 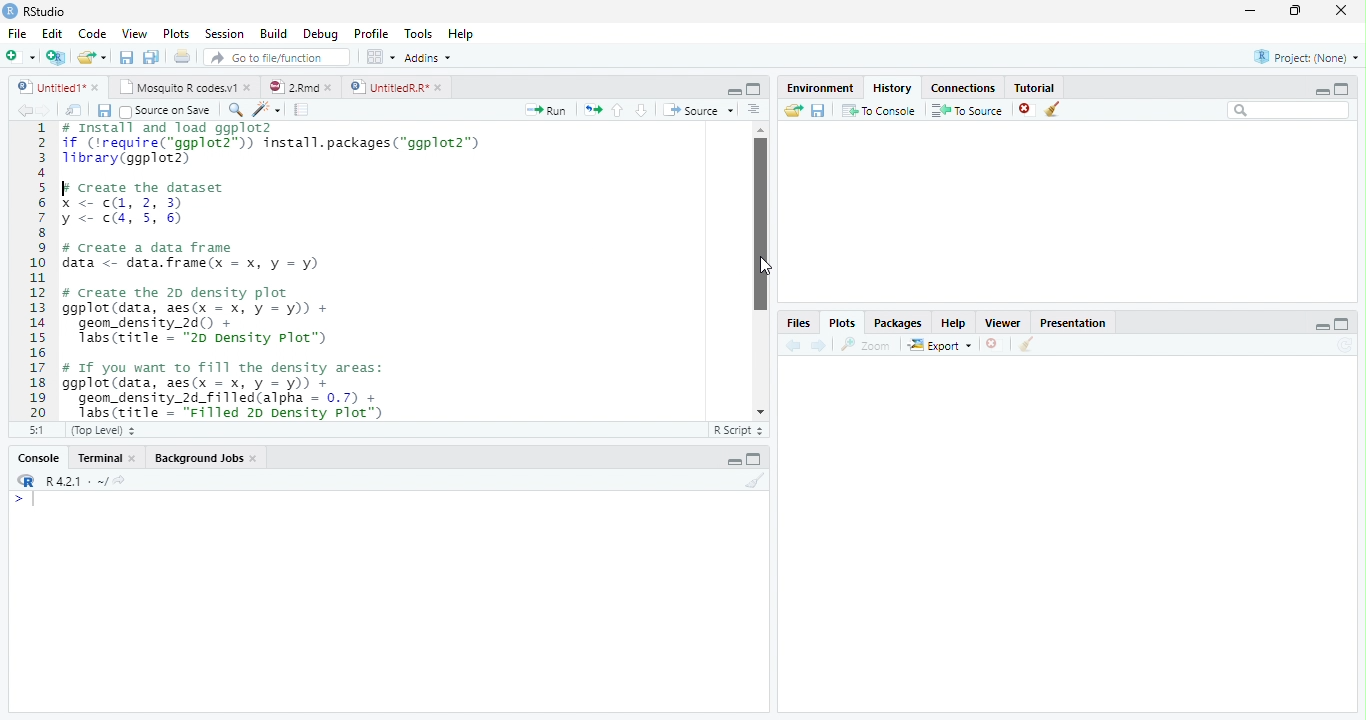 What do you see at coordinates (739, 431) in the screenshot?
I see `R Script` at bounding box center [739, 431].